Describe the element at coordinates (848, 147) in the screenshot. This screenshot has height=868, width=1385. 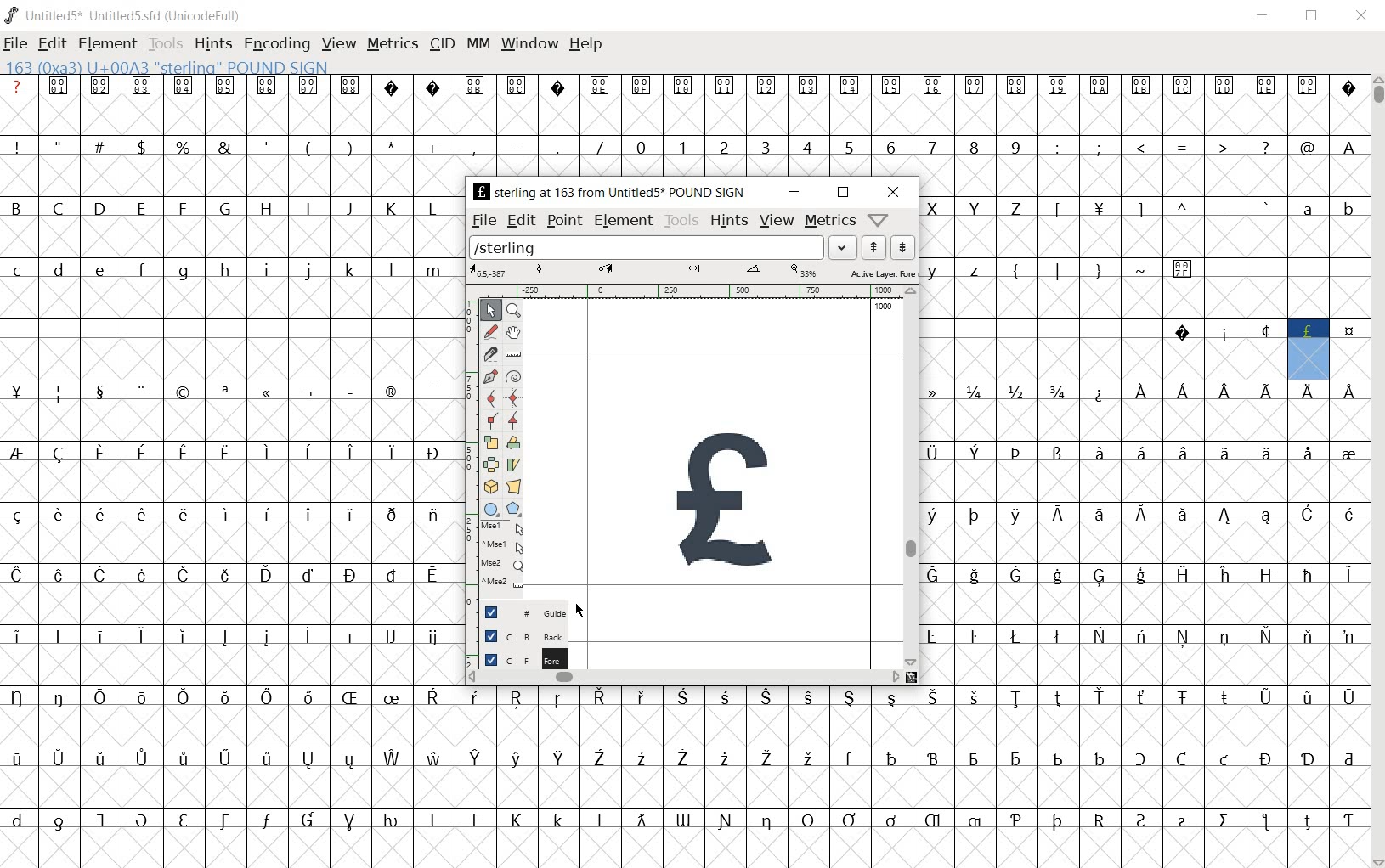
I see `5` at that location.